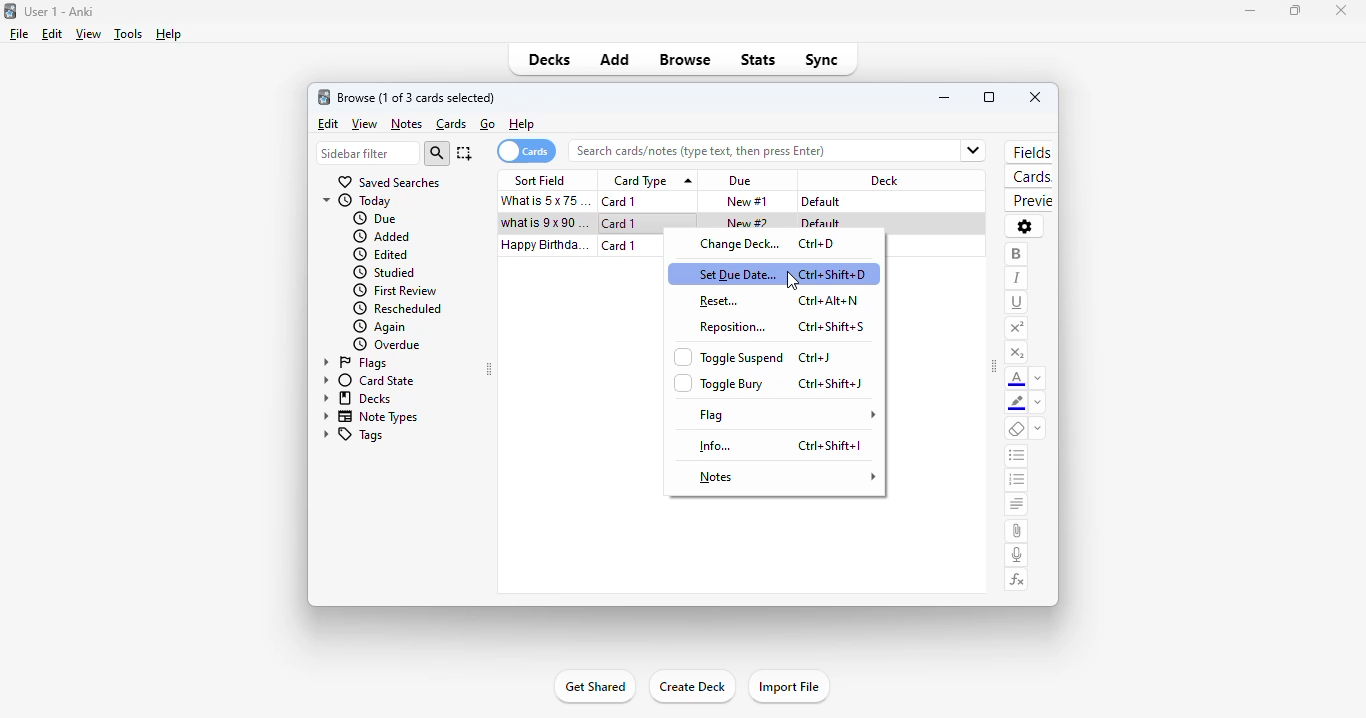  Describe the element at coordinates (994, 366) in the screenshot. I see `toggle sidebar` at that location.